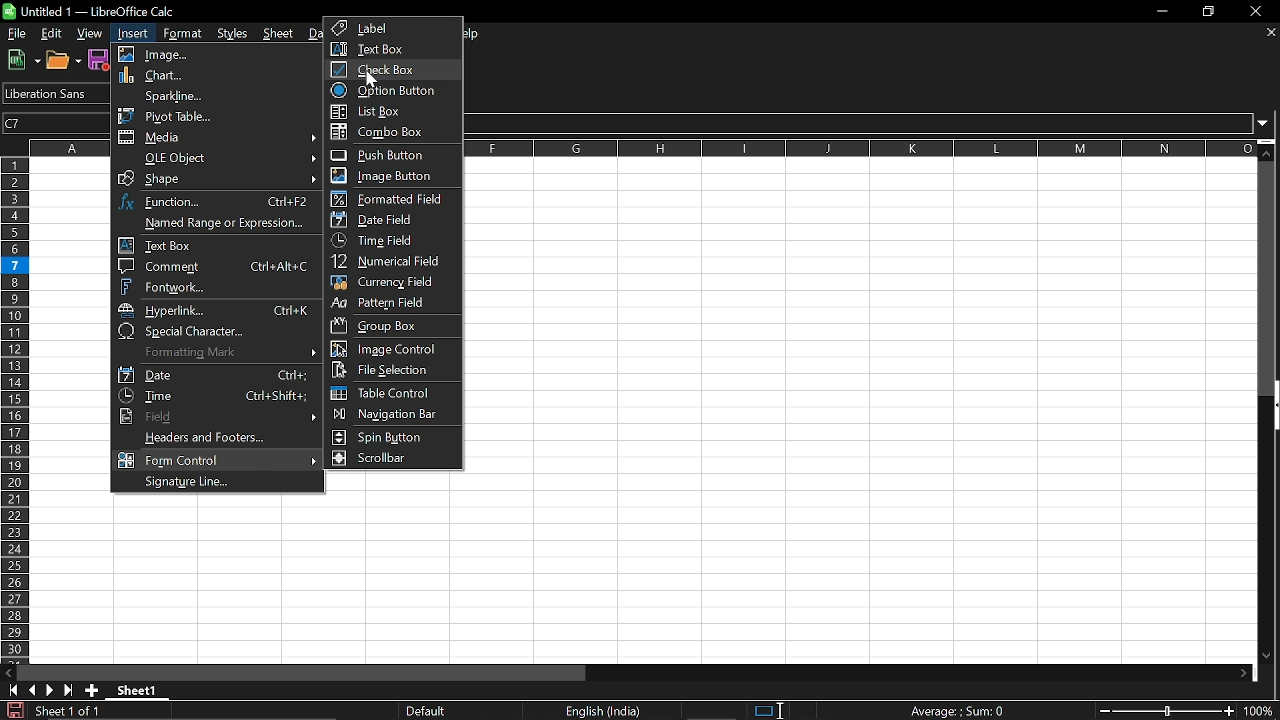 The image size is (1280, 720). Describe the element at coordinates (387, 241) in the screenshot. I see `Time field` at that location.